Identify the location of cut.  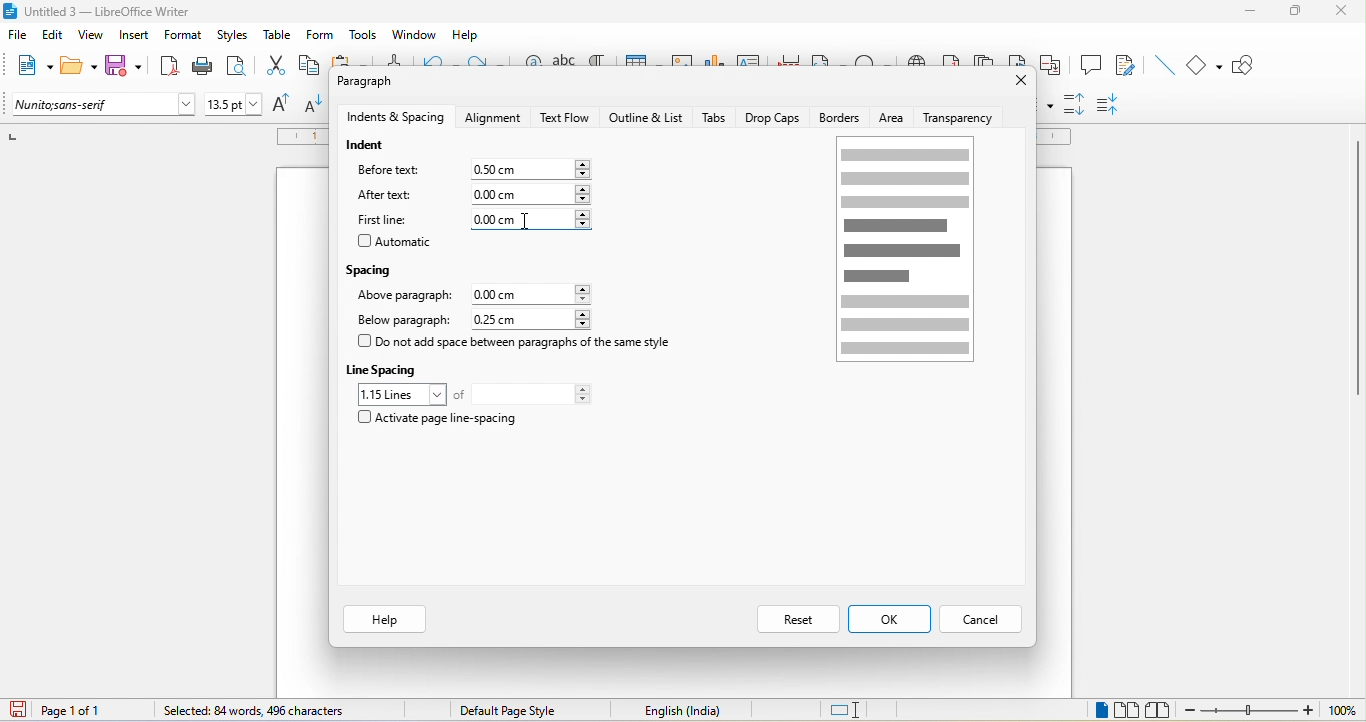
(276, 67).